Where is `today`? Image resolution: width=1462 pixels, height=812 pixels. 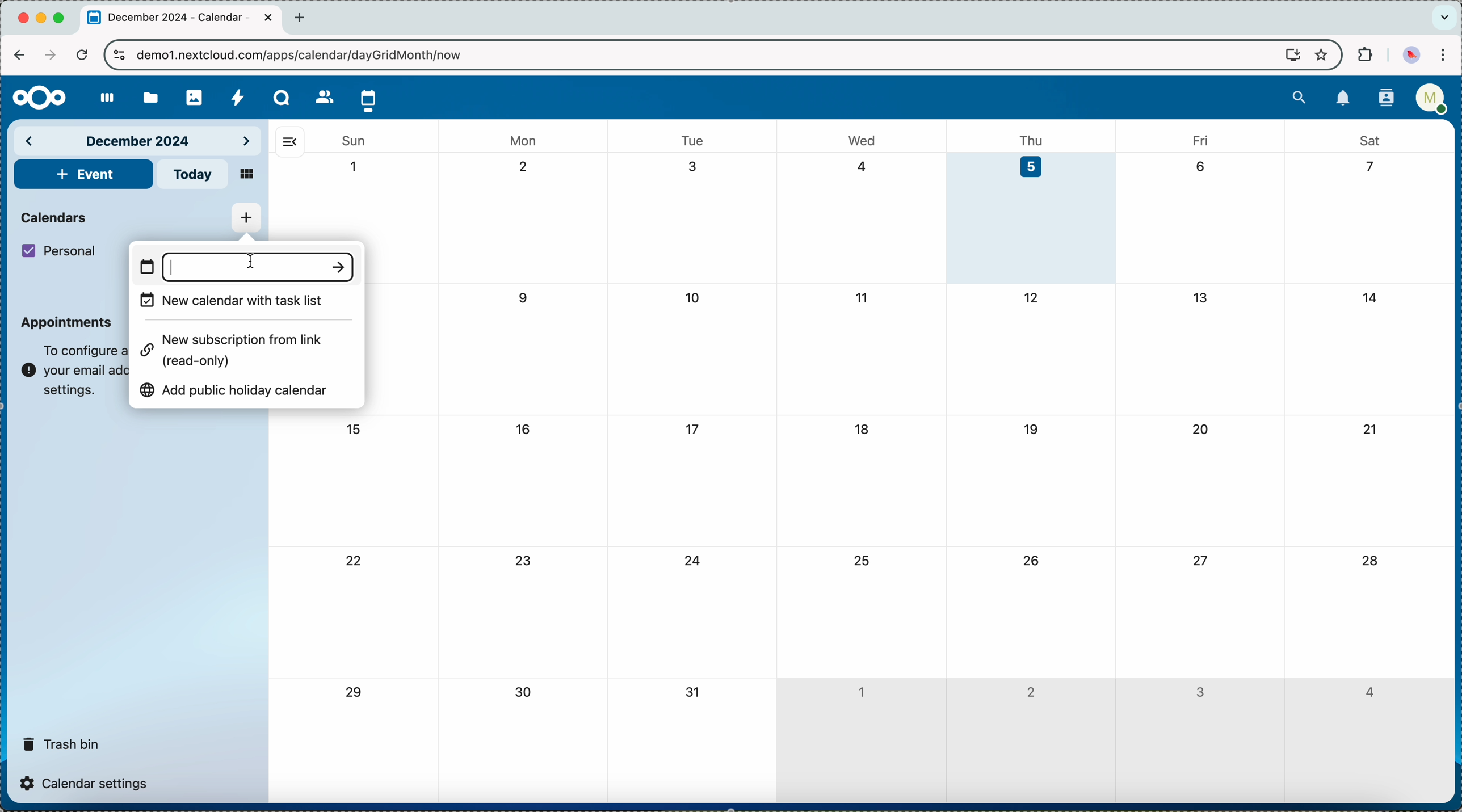
today is located at coordinates (194, 174).